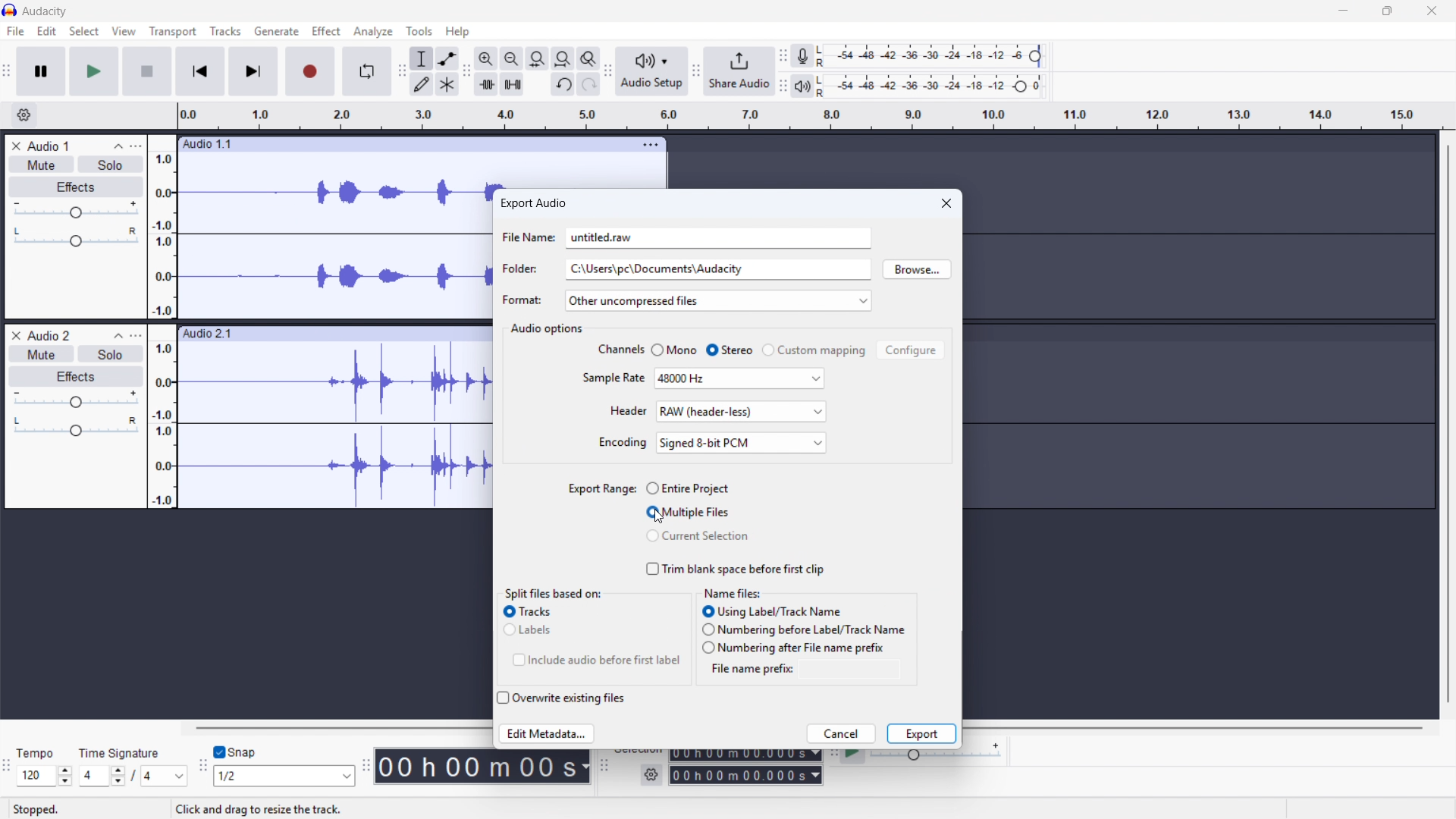 The width and height of the screenshot is (1456, 819). I want to click on Tools, so click(419, 31).